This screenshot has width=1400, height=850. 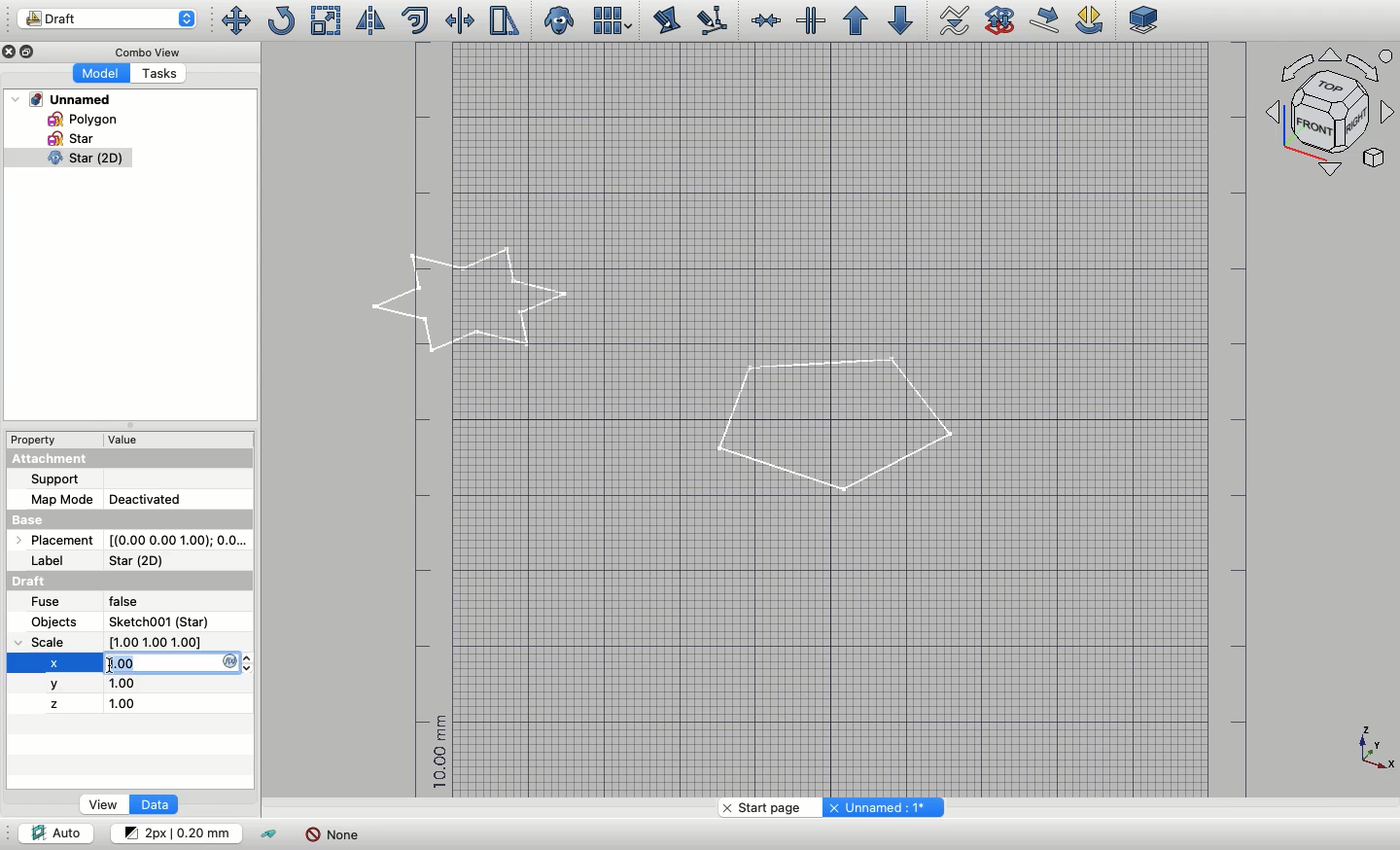 What do you see at coordinates (55, 832) in the screenshot?
I see `Auto` at bounding box center [55, 832].